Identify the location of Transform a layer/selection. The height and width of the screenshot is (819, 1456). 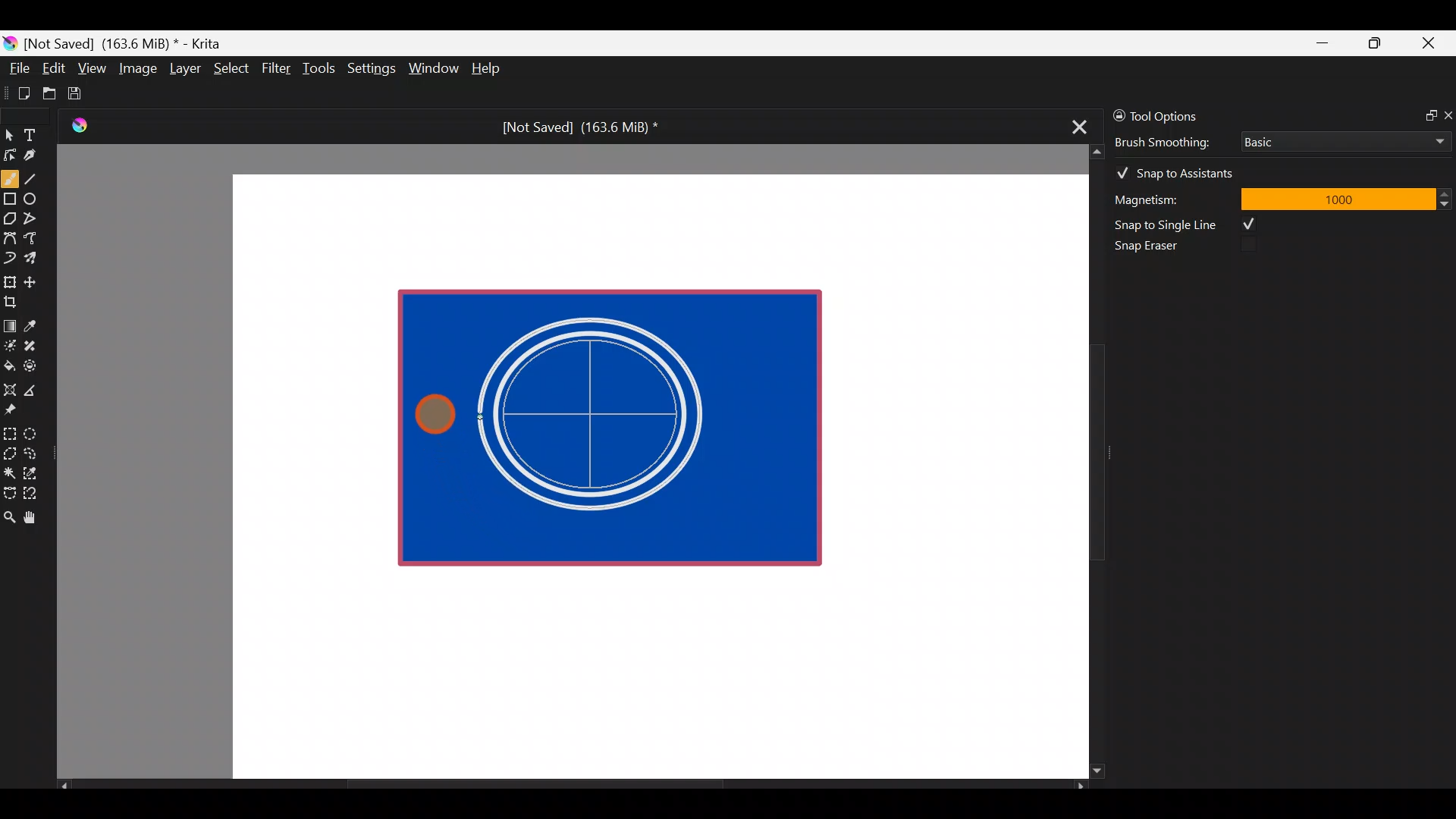
(9, 279).